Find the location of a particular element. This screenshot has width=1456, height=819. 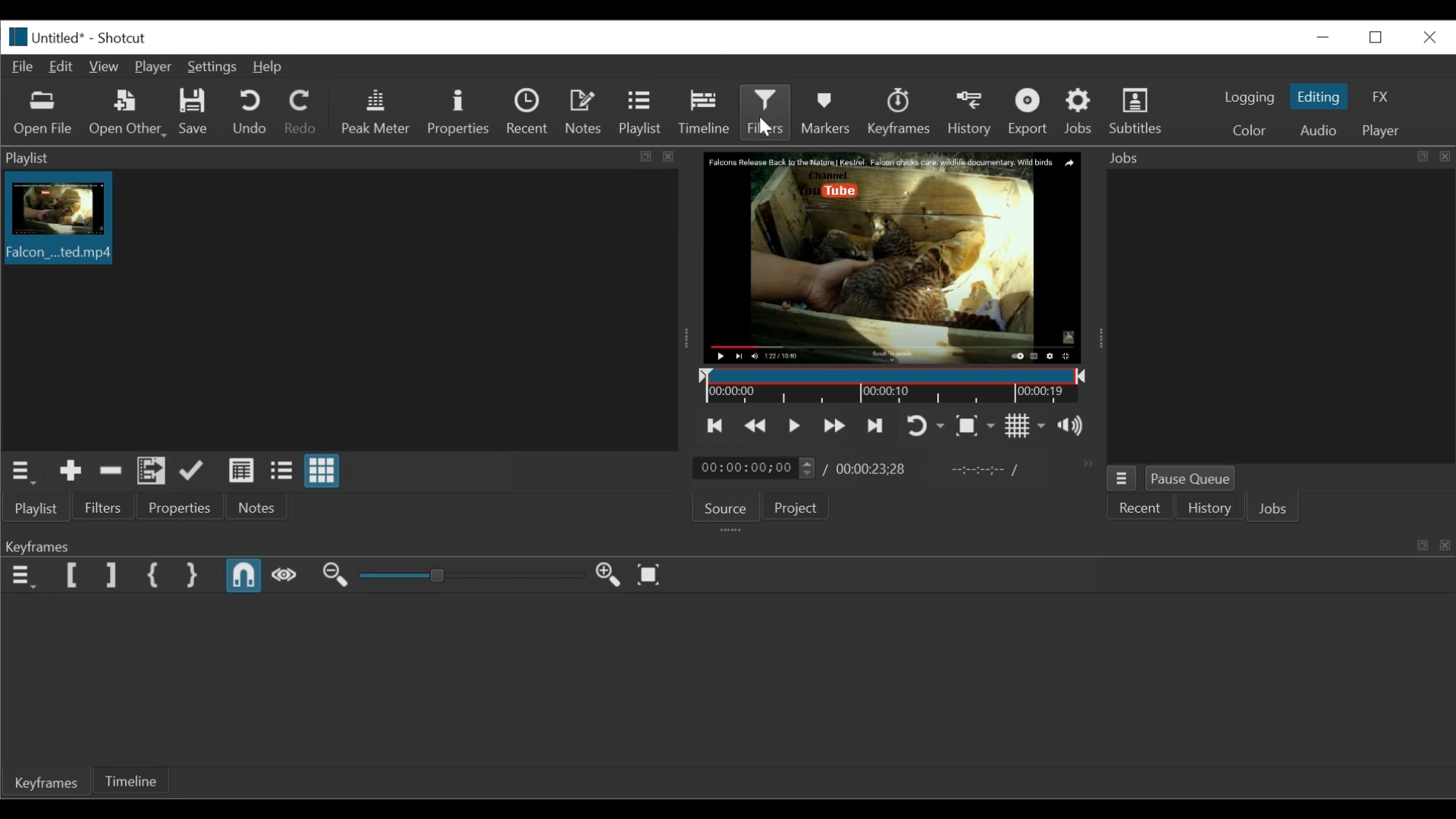

Filters is located at coordinates (766, 114).